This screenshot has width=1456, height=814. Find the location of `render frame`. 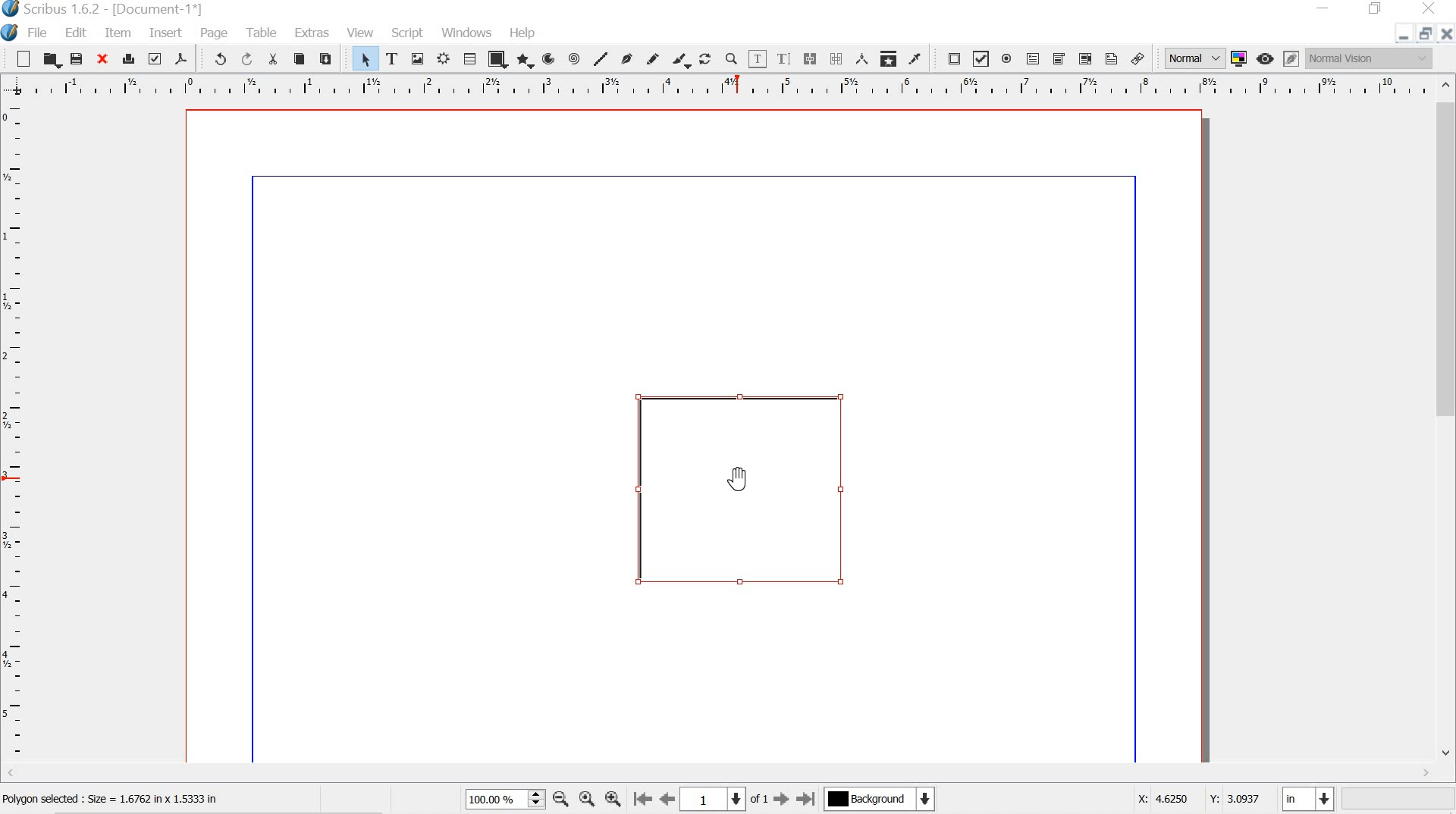

render frame is located at coordinates (445, 59).